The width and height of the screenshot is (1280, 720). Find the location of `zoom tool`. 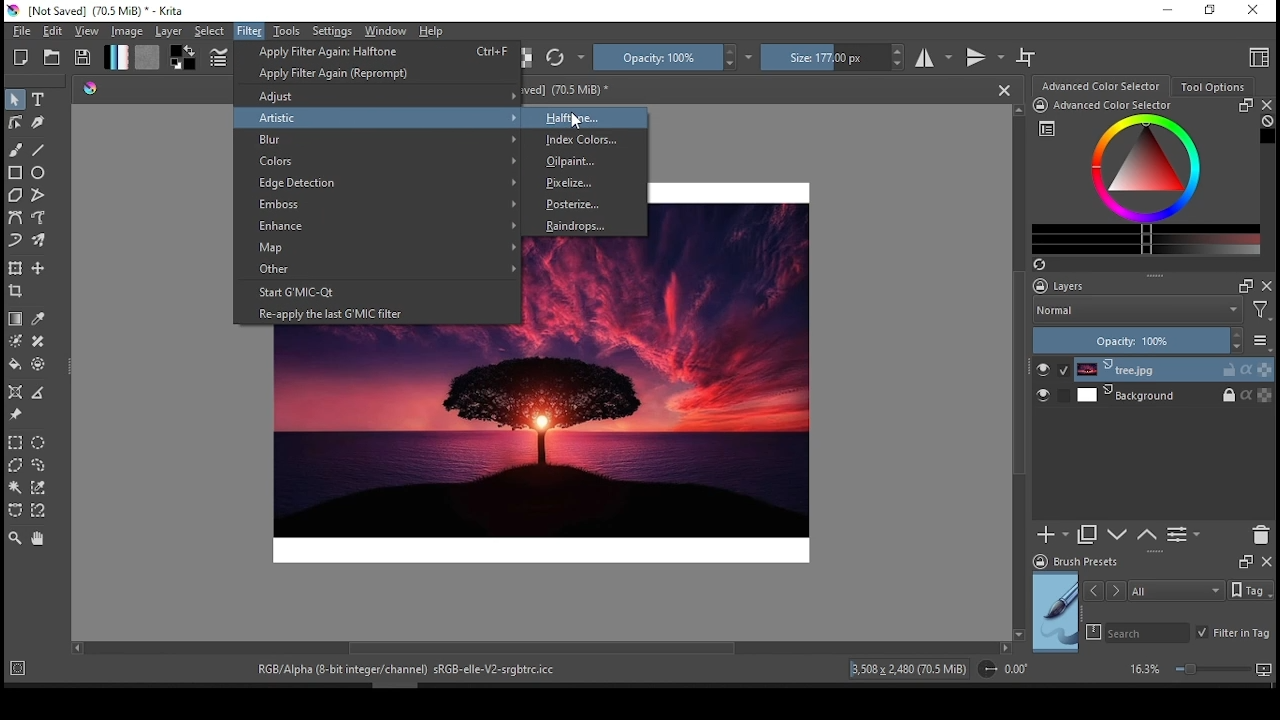

zoom tool is located at coordinates (15, 539).